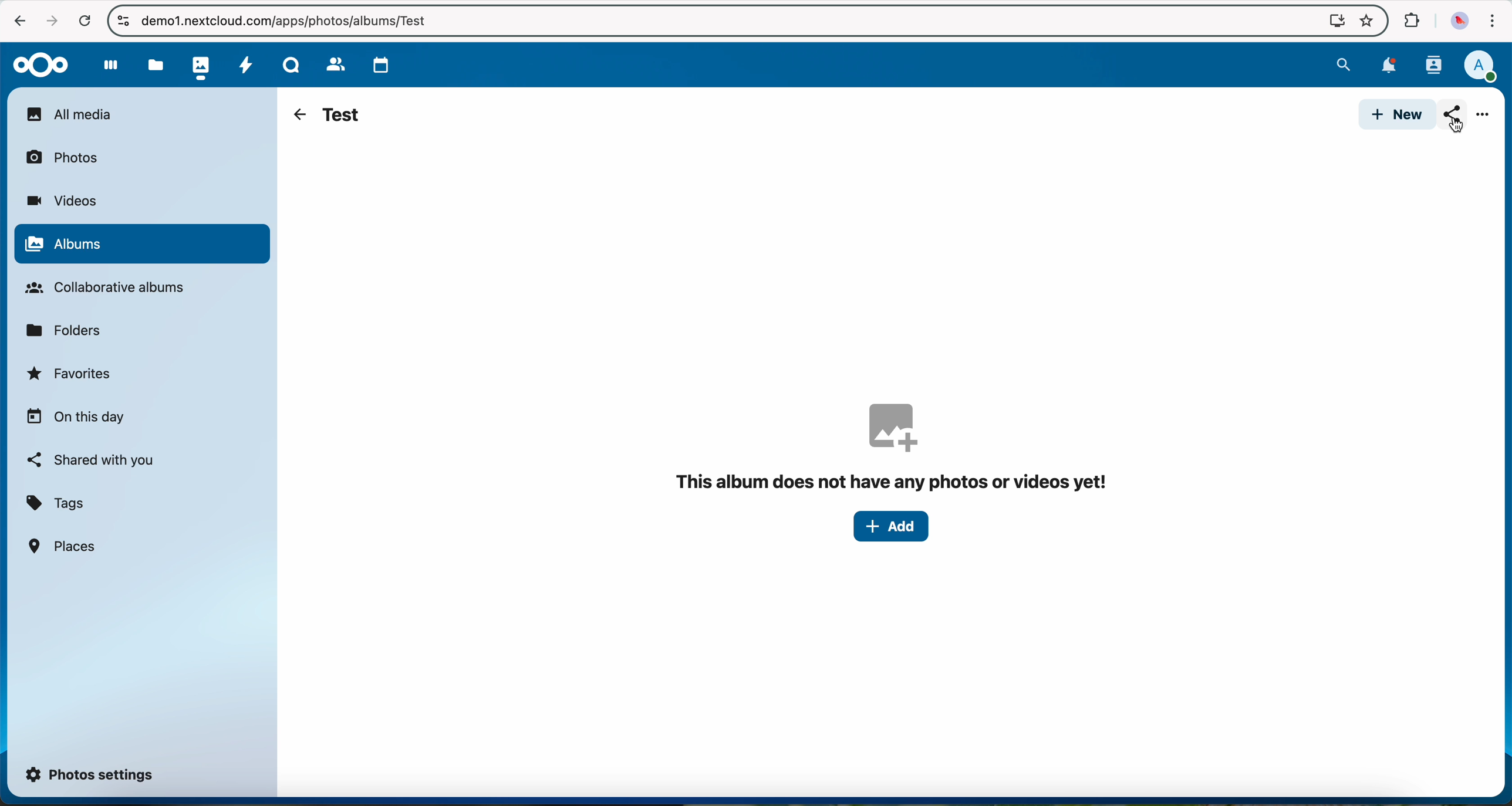 The width and height of the screenshot is (1512, 806). What do you see at coordinates (56, 504) in the screenshot?
I see `tags` at bounding box center [56, 504].